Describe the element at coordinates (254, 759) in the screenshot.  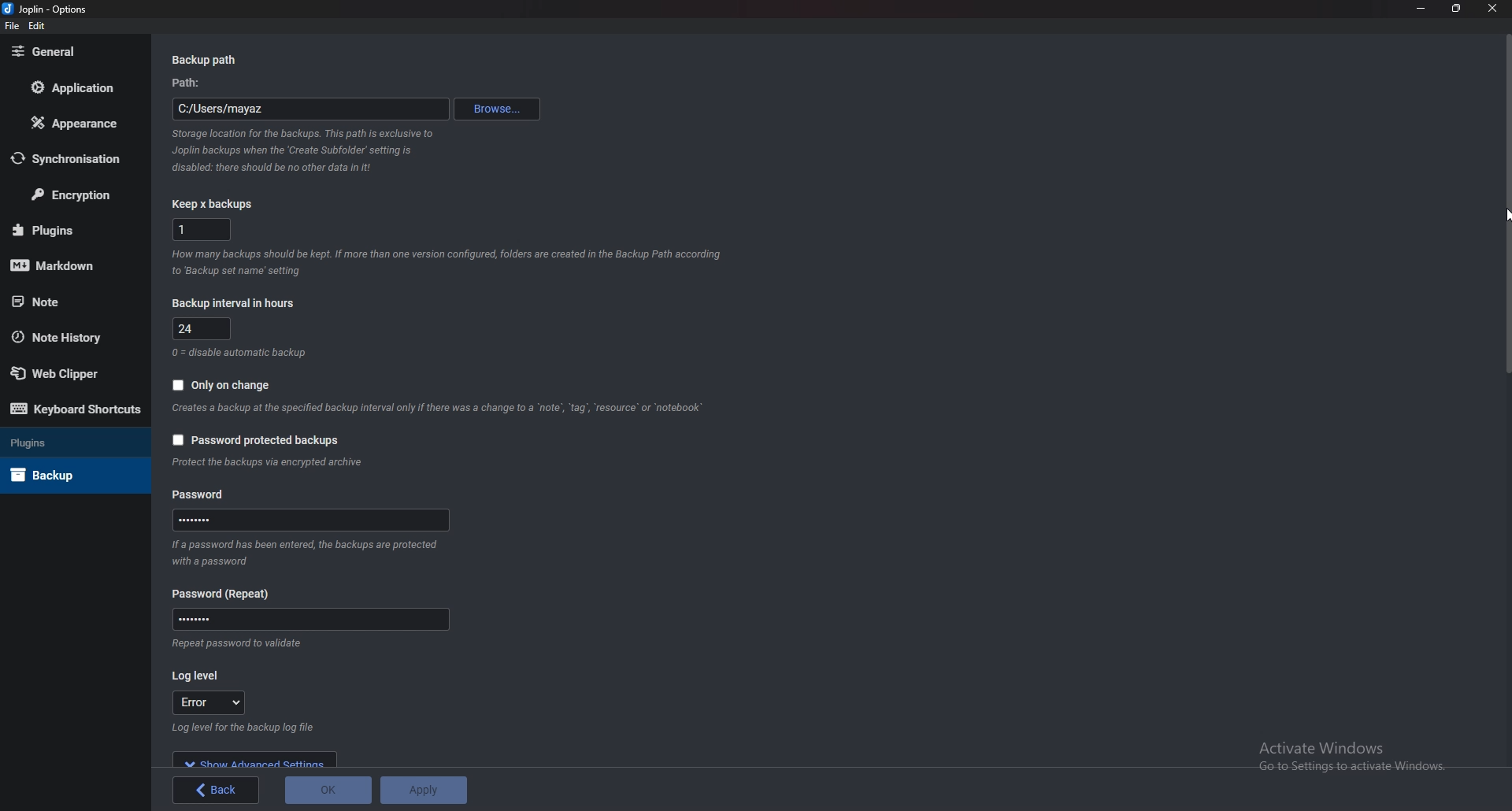
I see `show advanced settings` at that location.